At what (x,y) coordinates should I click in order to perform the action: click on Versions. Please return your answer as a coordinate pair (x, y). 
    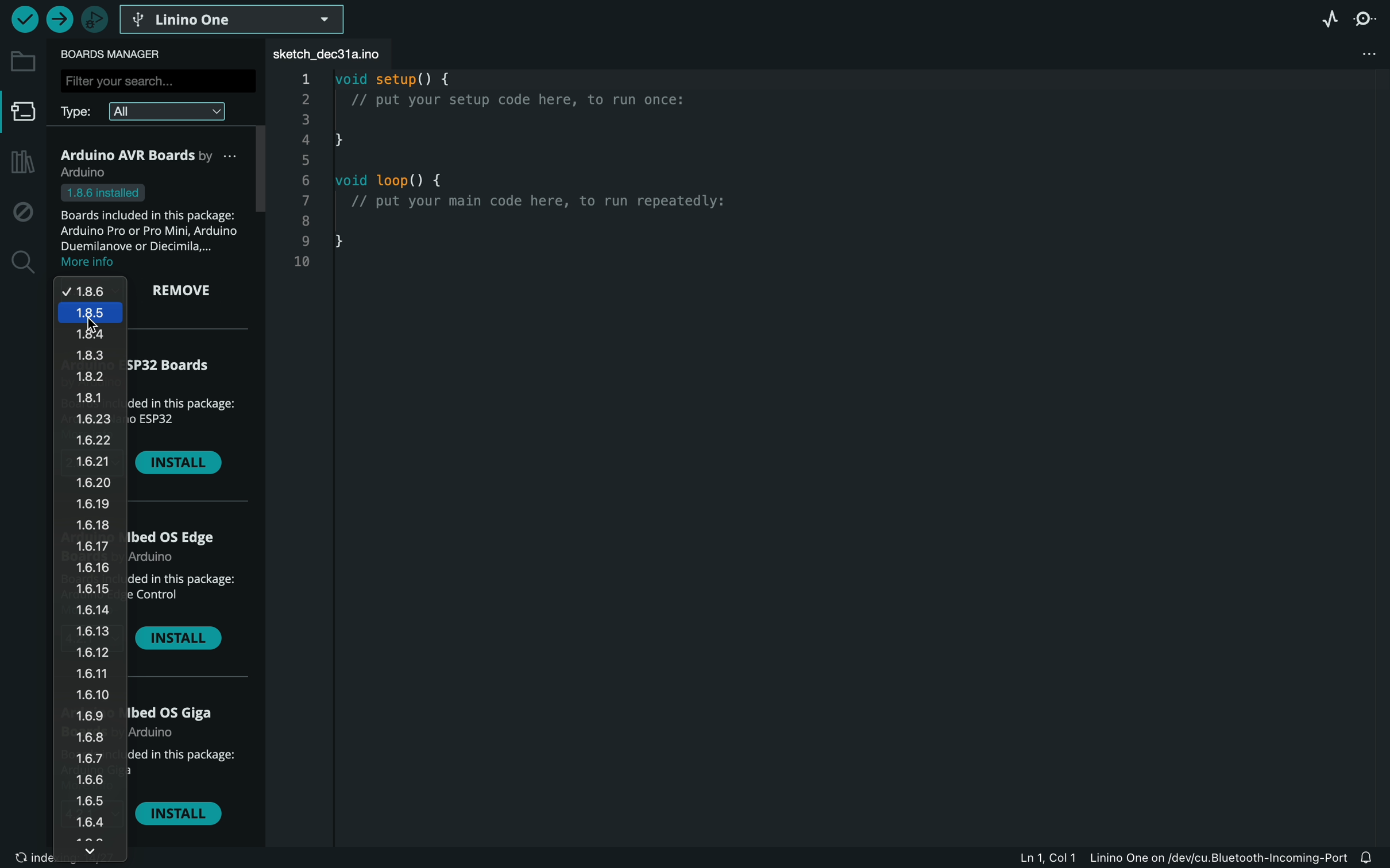
    Looking at the image, I should click on (91, 571).